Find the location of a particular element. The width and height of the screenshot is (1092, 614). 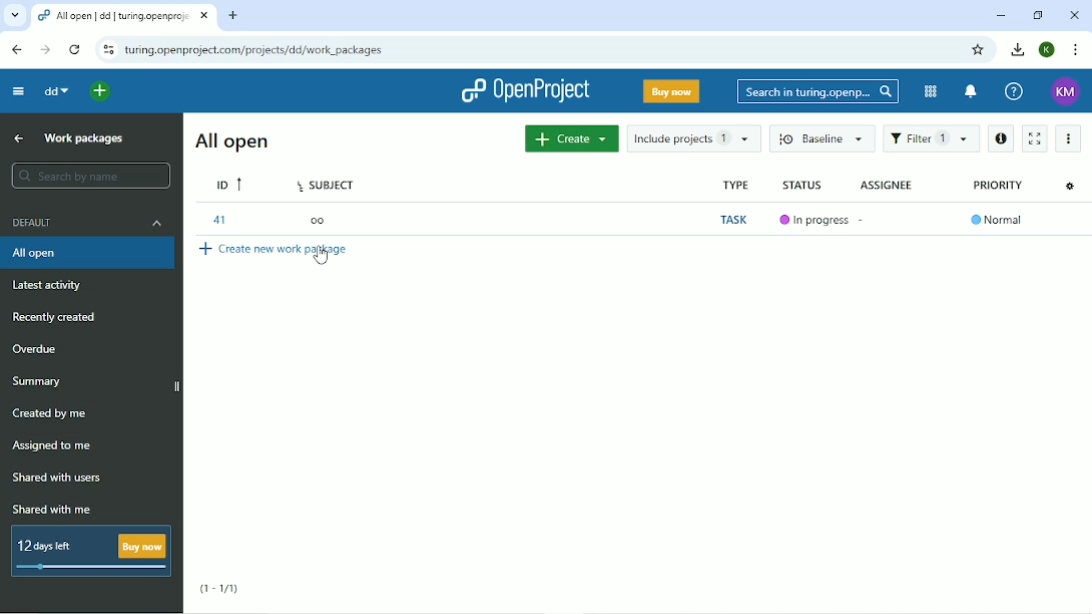

Search is located at coordinates (818, 91).